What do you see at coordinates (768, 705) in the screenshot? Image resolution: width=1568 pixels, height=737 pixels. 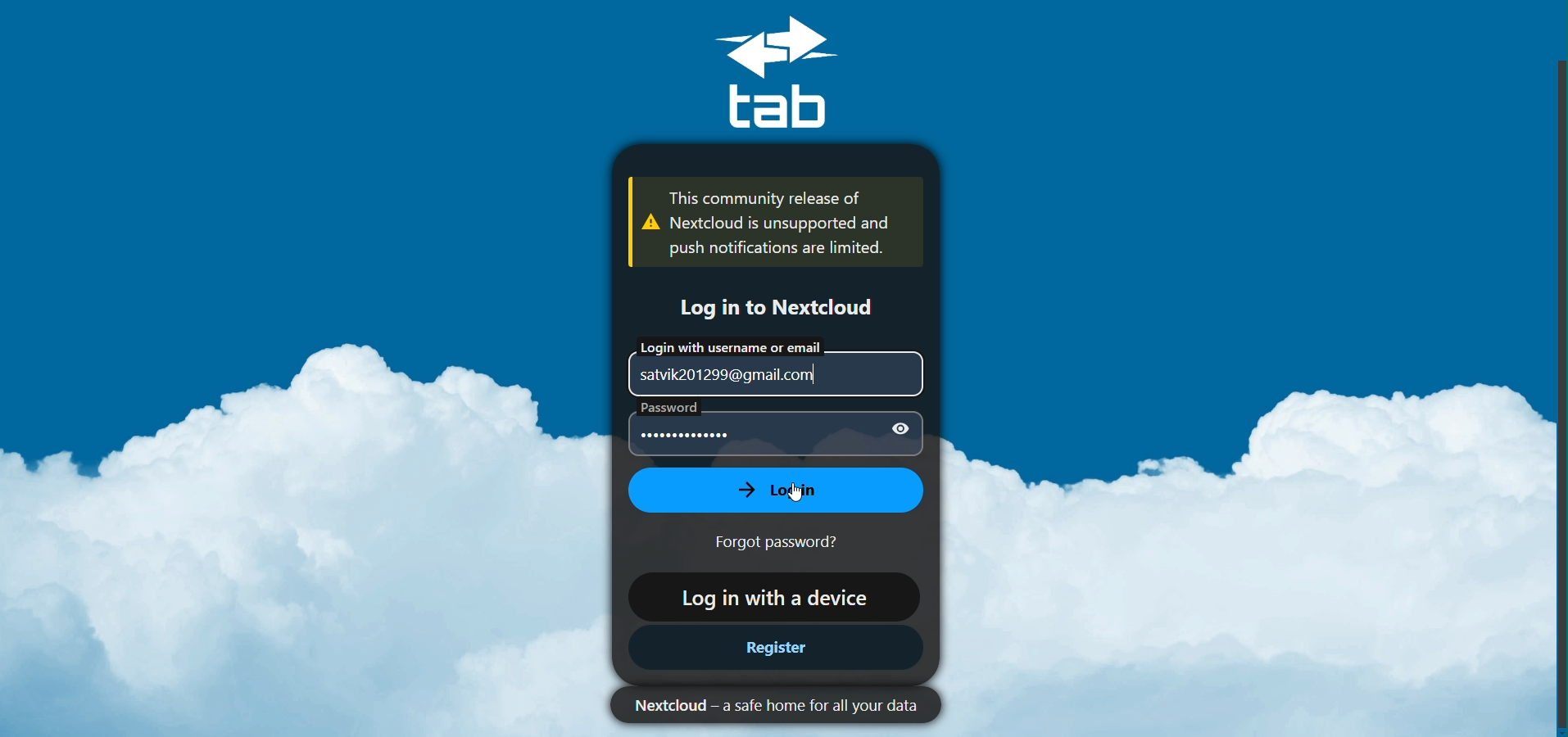 I see `Nextcloud - a safe home for all your data` at bounding box center [768, 705].